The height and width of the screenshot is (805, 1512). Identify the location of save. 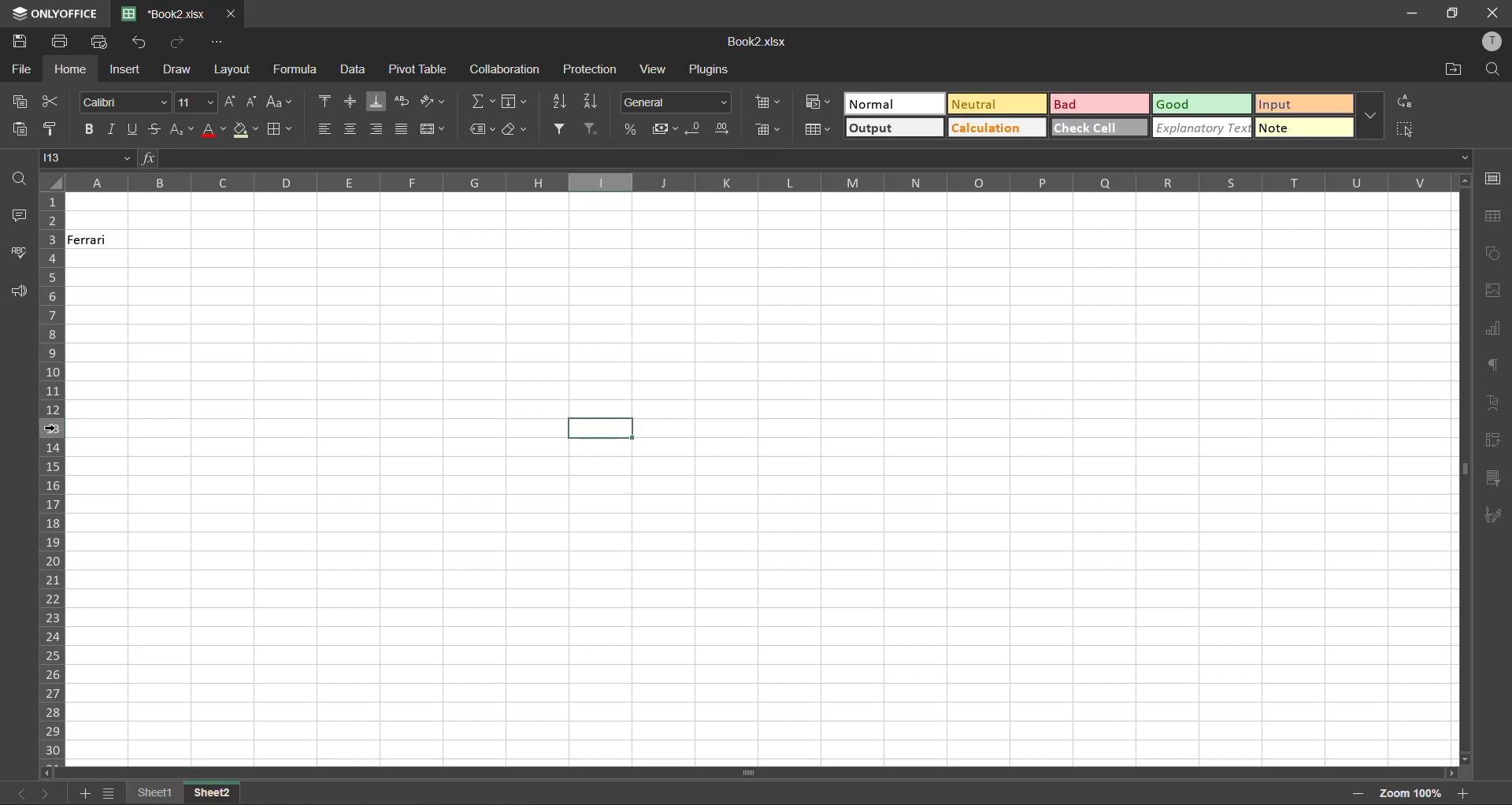
(18, 42).